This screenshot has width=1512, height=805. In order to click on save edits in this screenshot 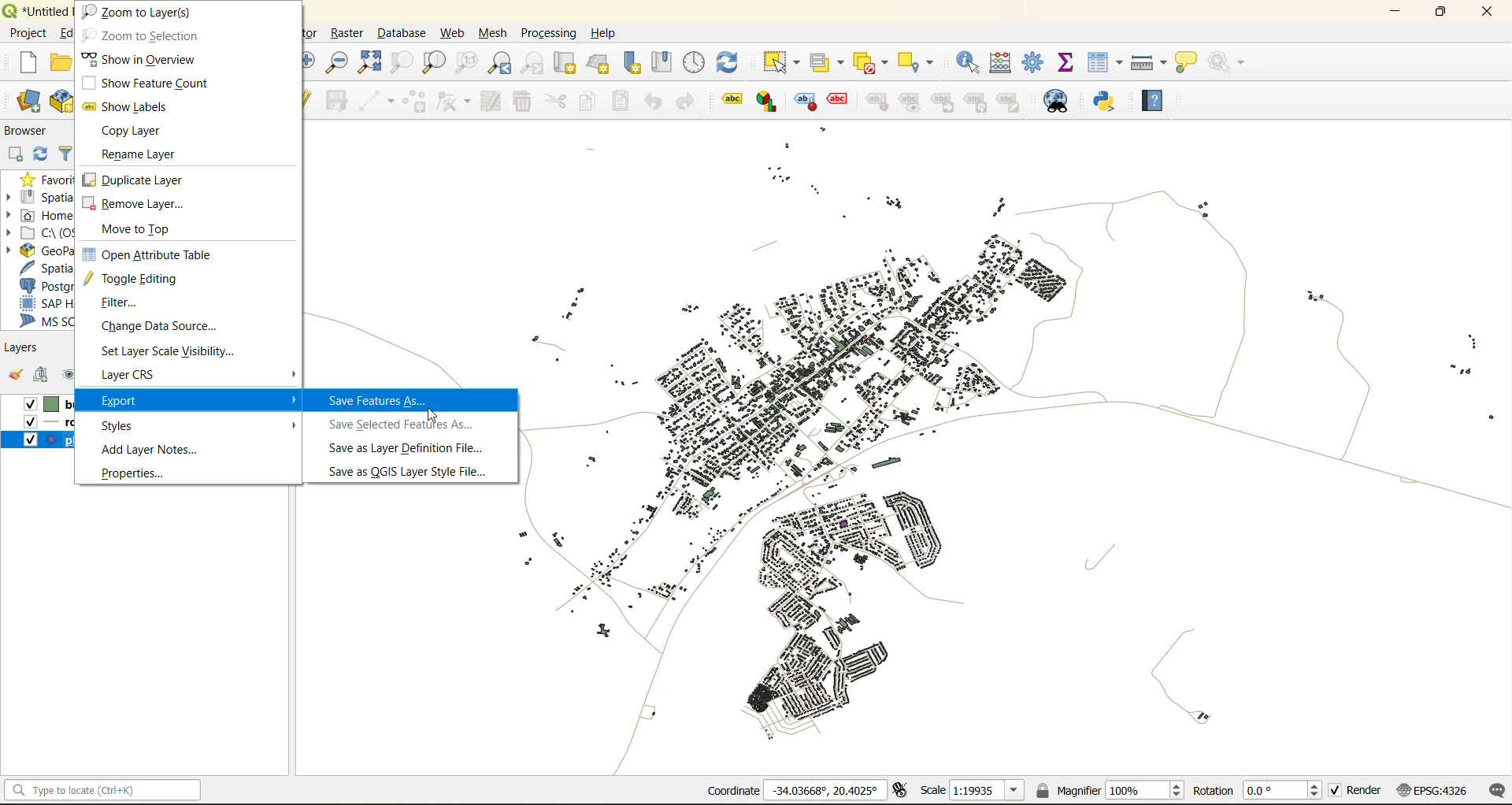, I will do `click(339, 99)`.